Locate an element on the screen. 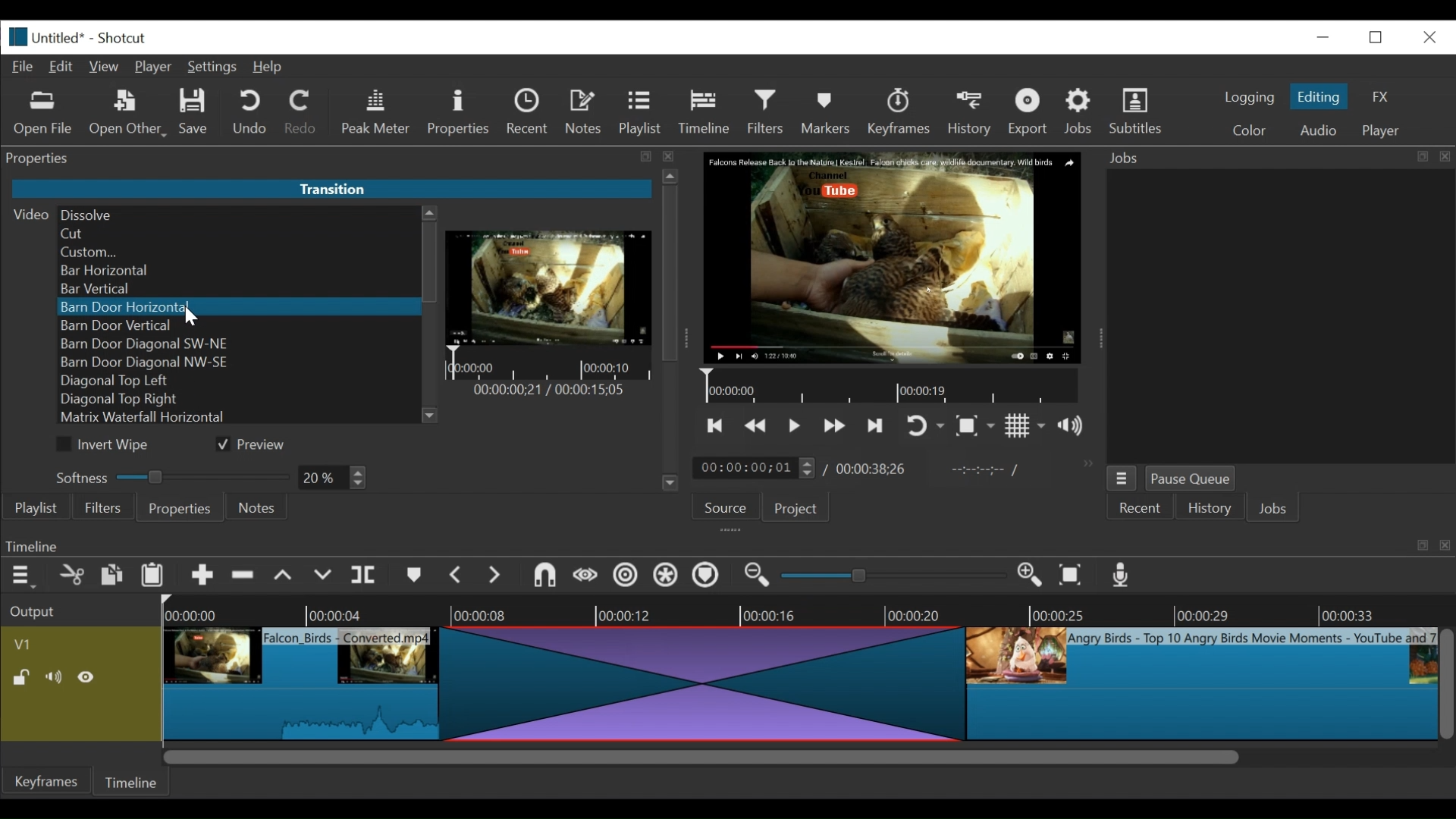 Image resolution: width=1456 pixels, height=819 pixels. Cursor is located at coordinates (187, 318).